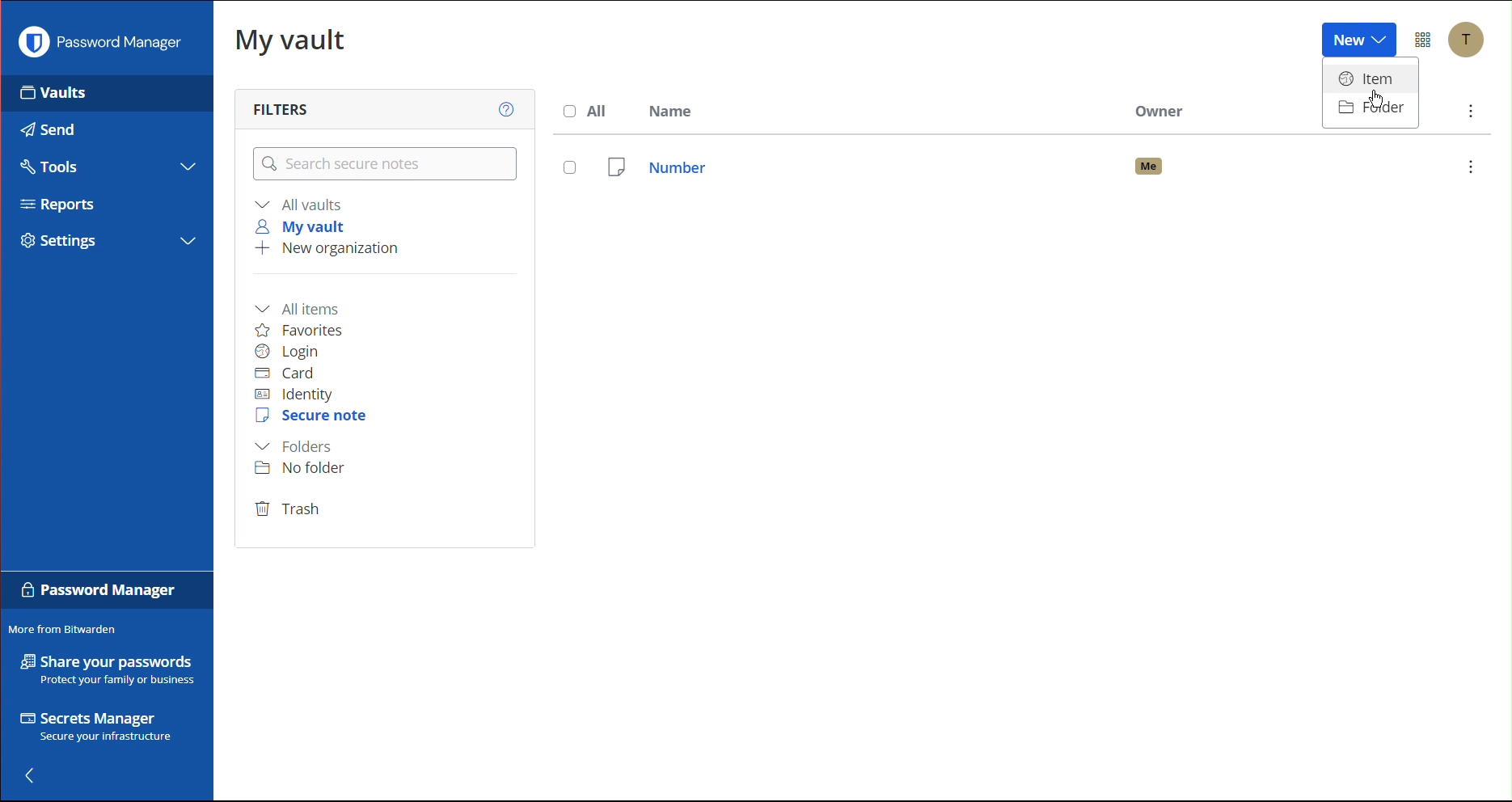 This screenshot has width=1512, height=802. I want to click on Cursor, so click(1373, 101).